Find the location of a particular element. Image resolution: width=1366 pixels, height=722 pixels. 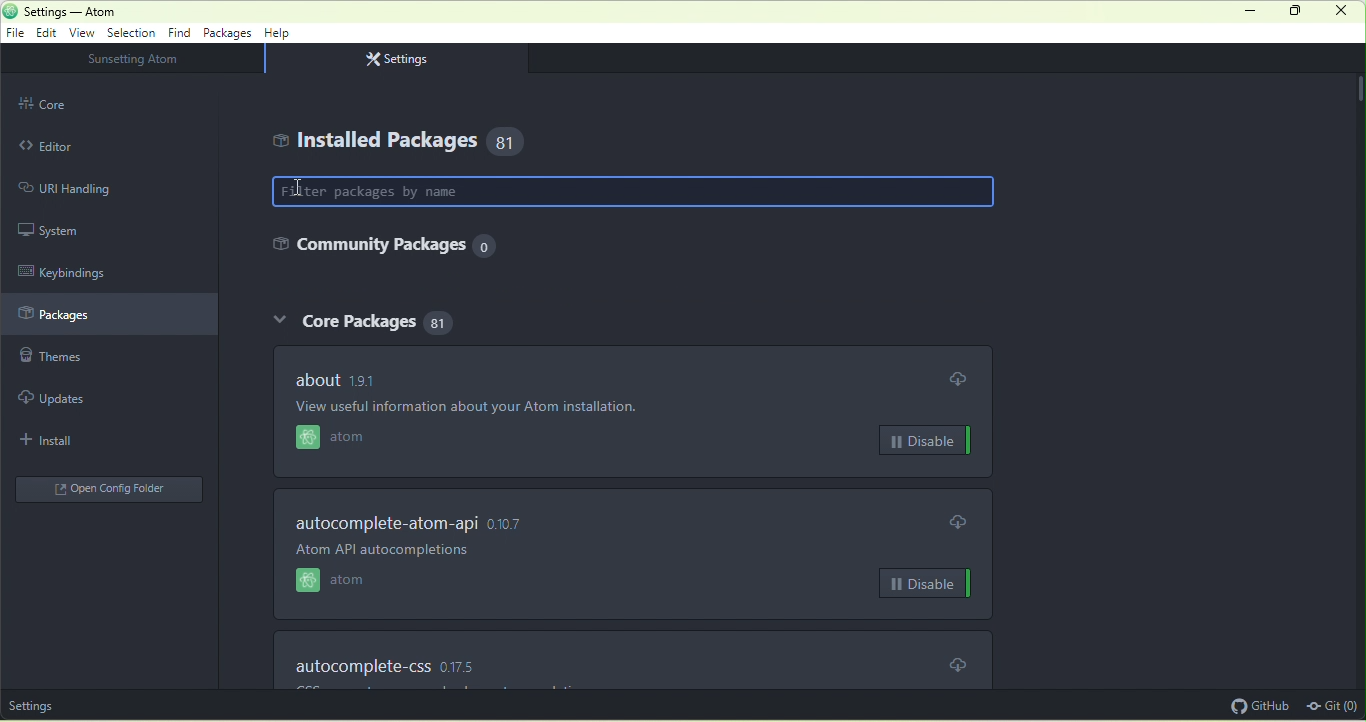

themes is located at coordinates (82, 361).